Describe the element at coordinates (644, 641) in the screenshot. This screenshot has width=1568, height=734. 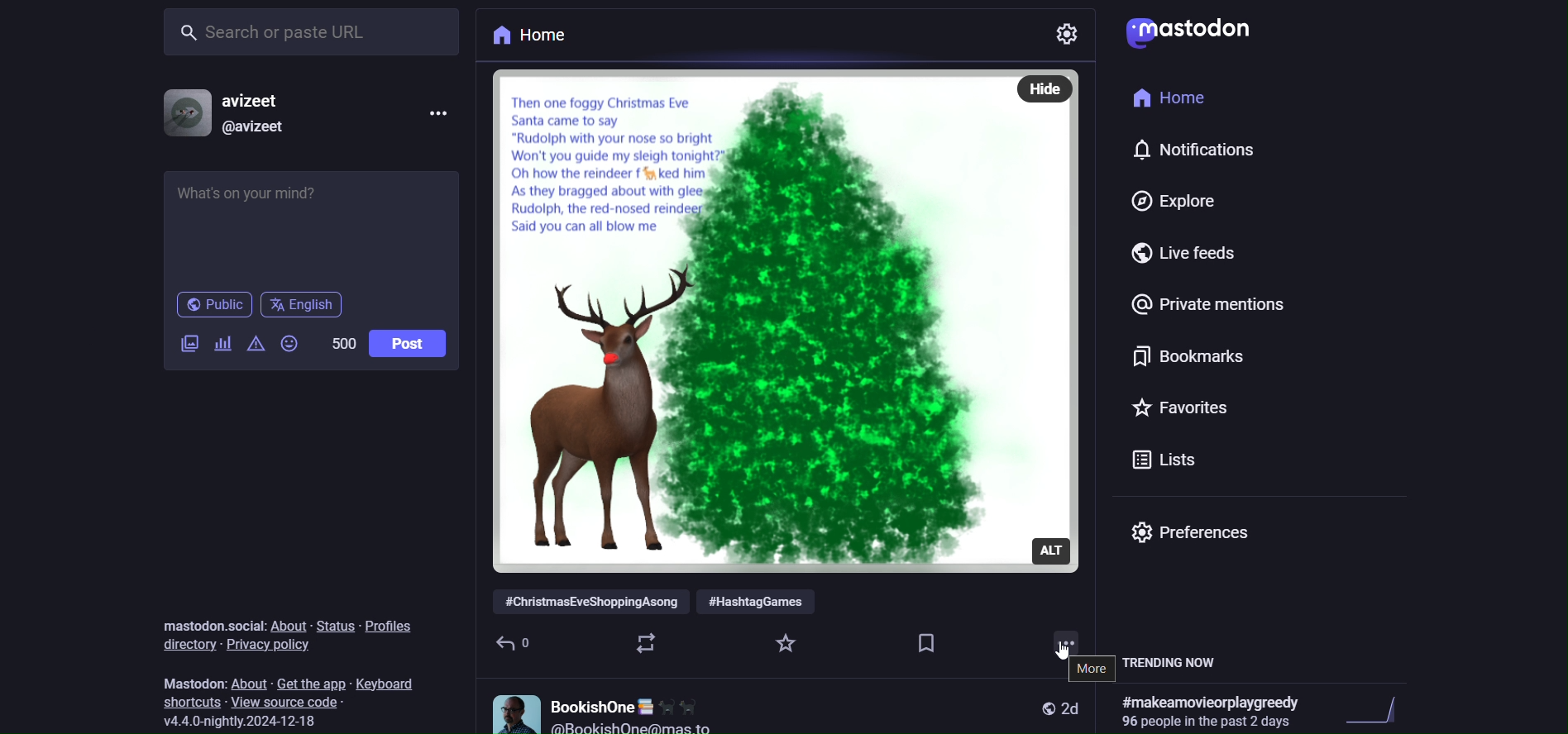
I see `boost` at that location.